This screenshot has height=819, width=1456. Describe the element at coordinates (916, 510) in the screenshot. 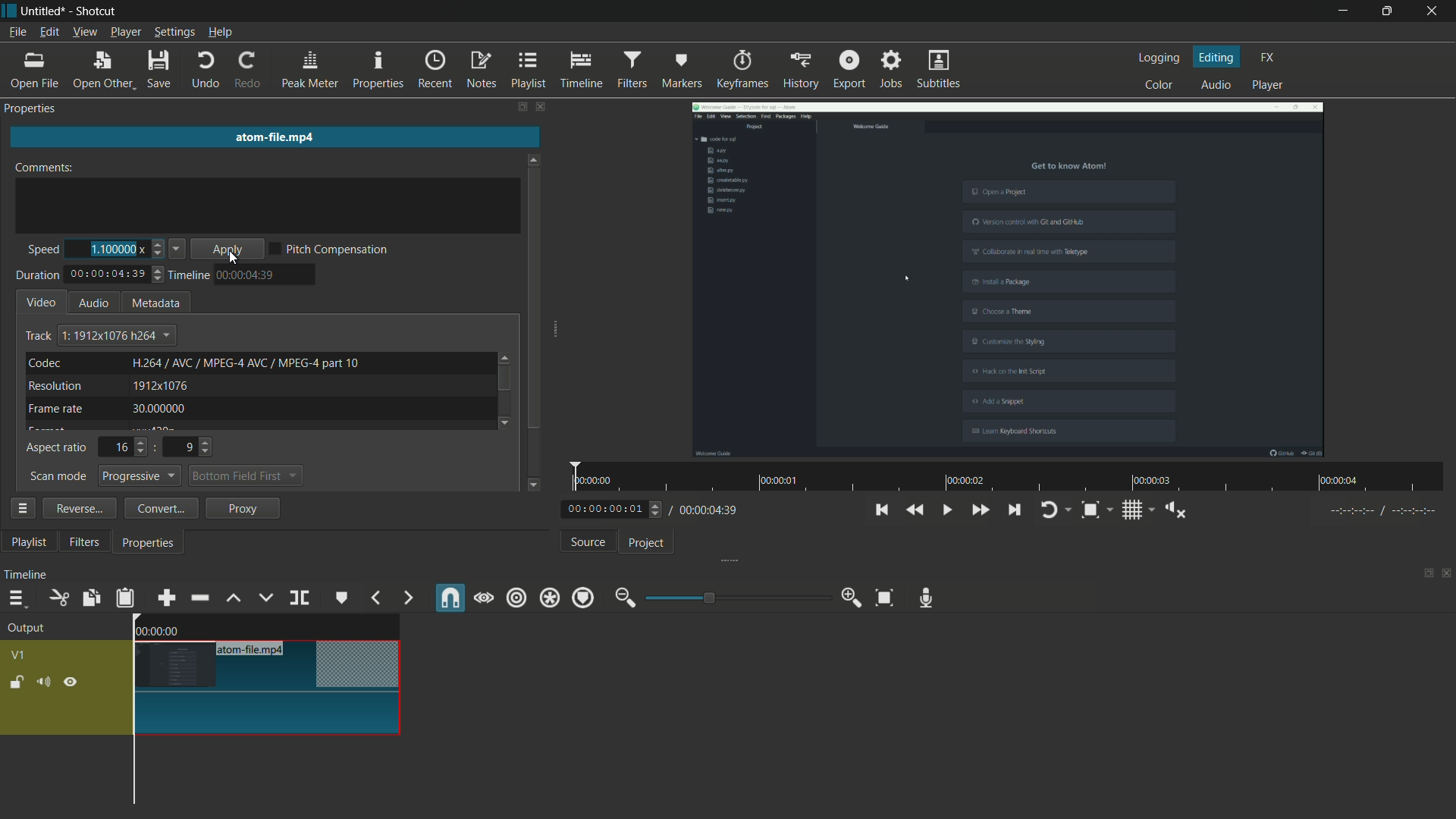

I see `quickly play backward` at that location.